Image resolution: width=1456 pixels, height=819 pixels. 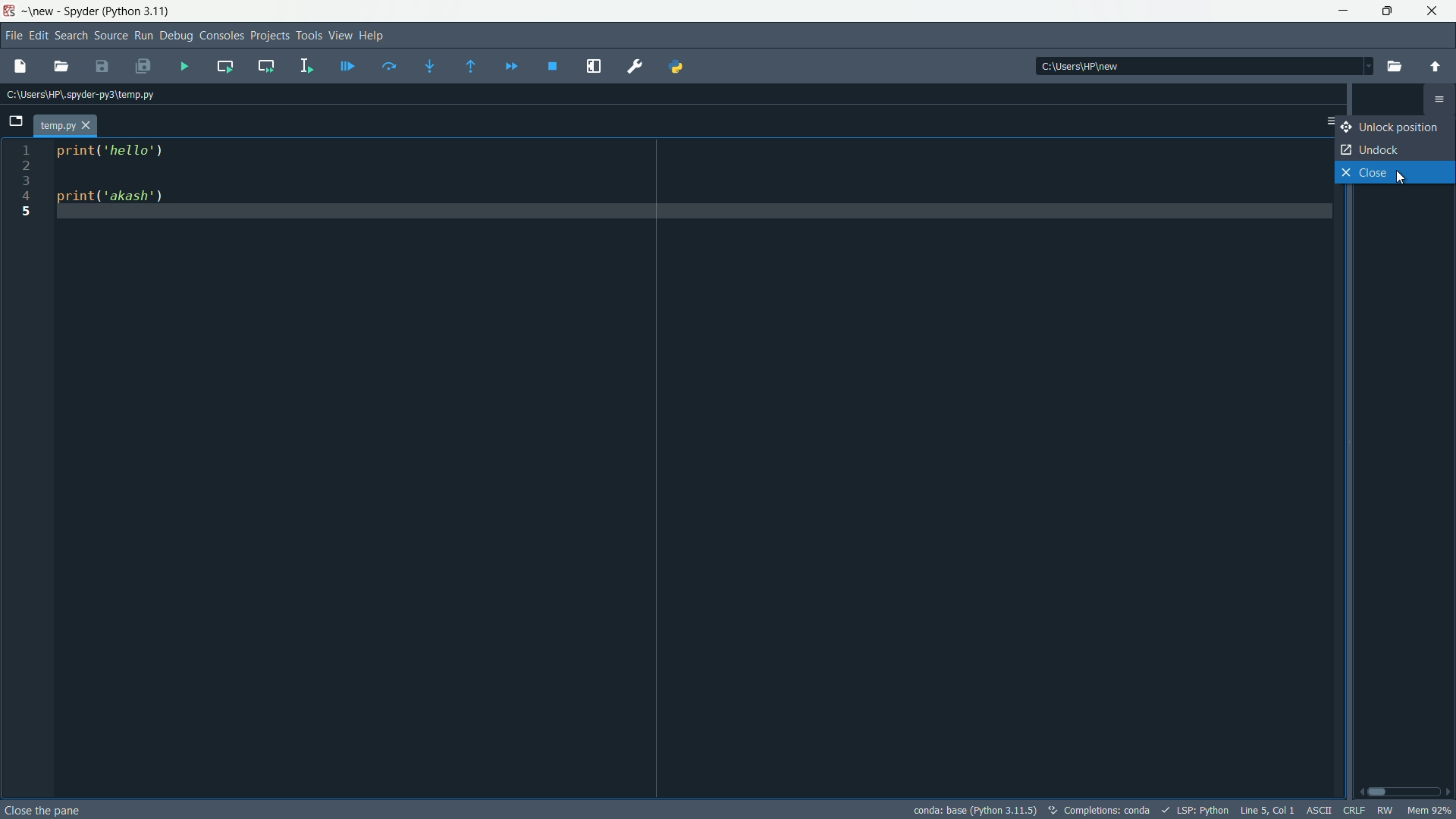 I want to click on restore, so click(x=1387, y=11).